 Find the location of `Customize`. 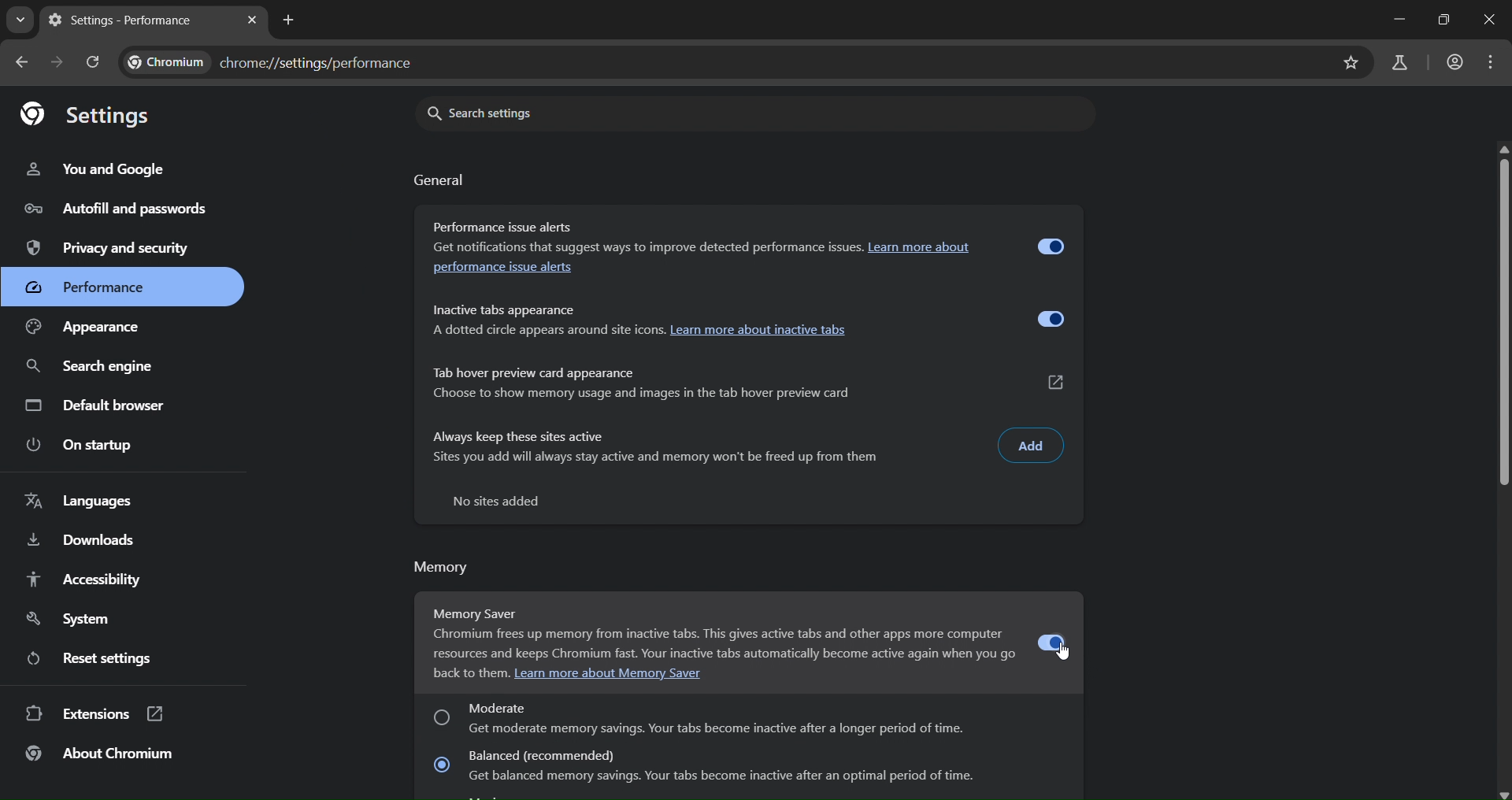

Customize is located at coordinates (1054, 383).